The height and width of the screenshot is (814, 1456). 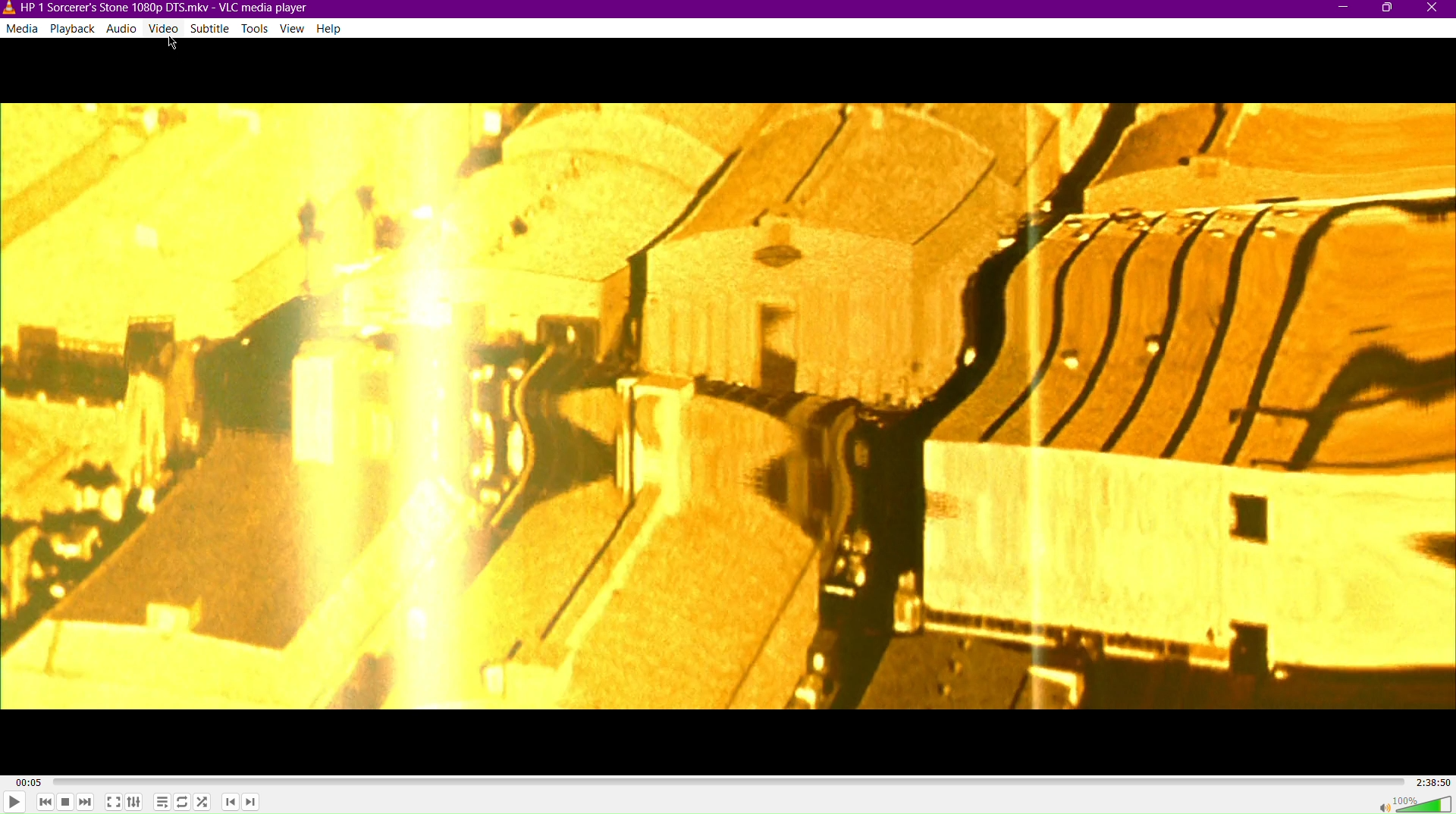 What do you see at coordinates (1343, 10) in the screenshot?
I see `Minimize` at bounding box center [1343, 10].